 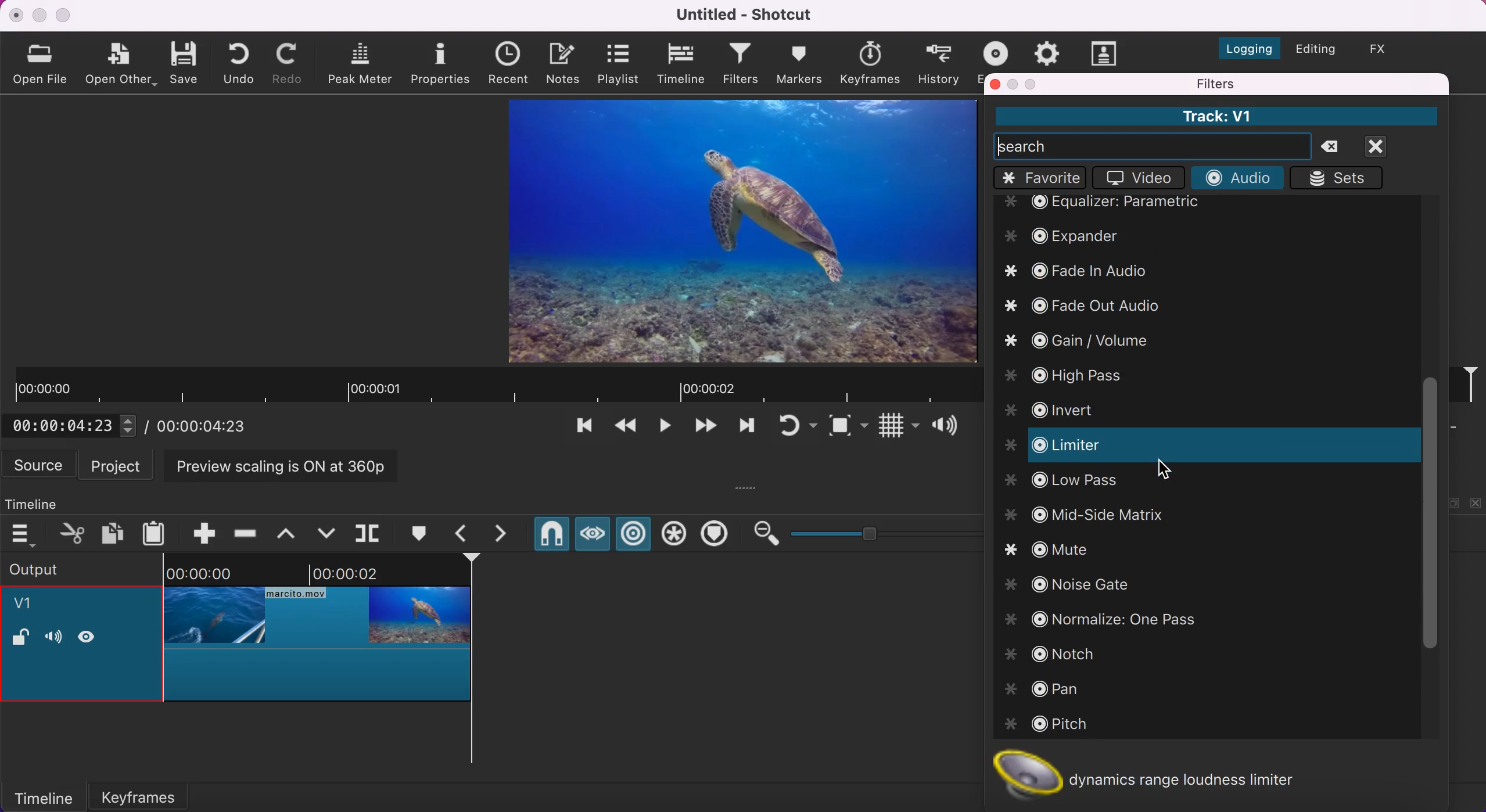 I want to click on expandr, so click(x=1067, y=235).